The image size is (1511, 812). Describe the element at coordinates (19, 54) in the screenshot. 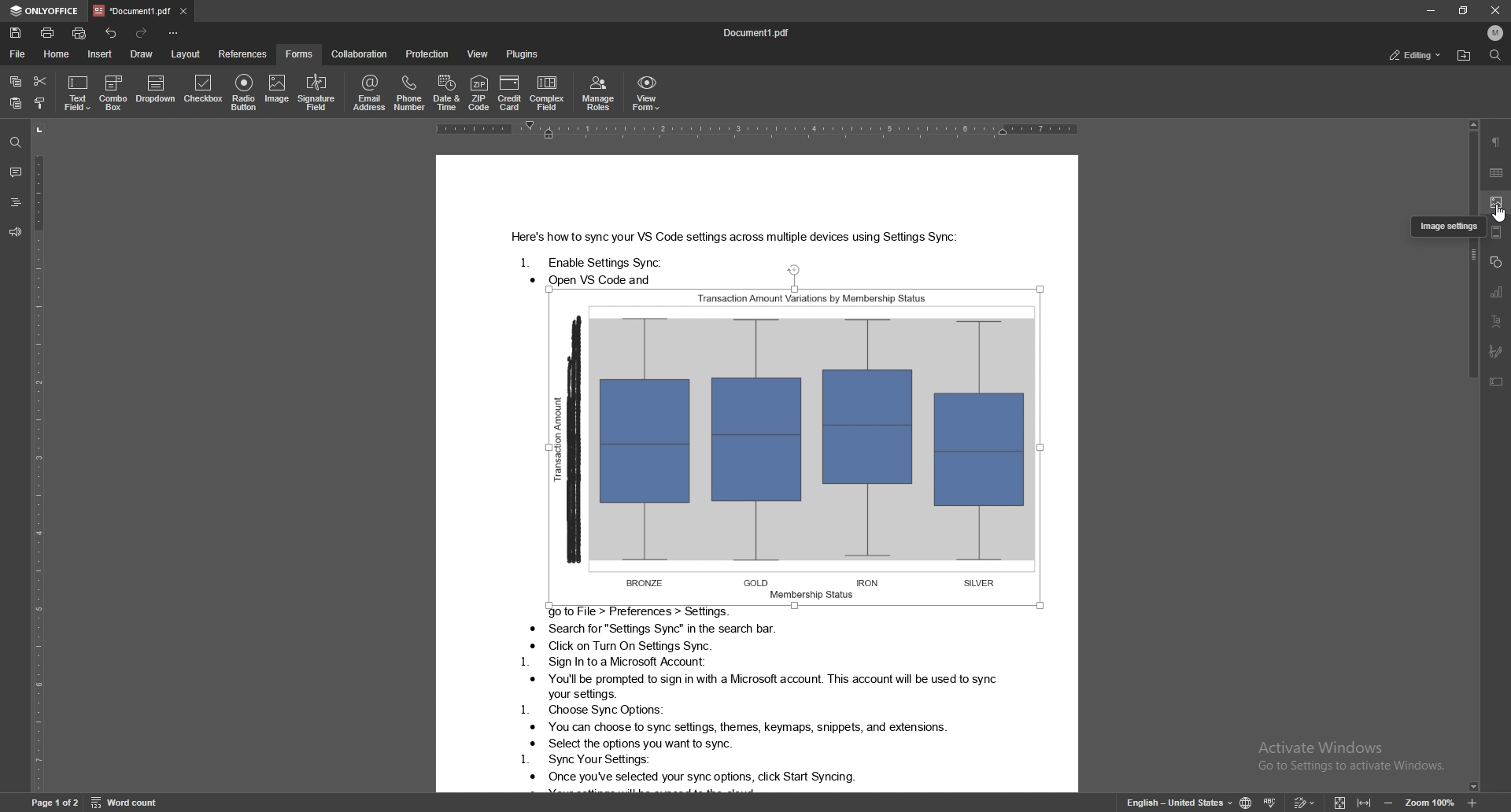

I see `file` at that location.